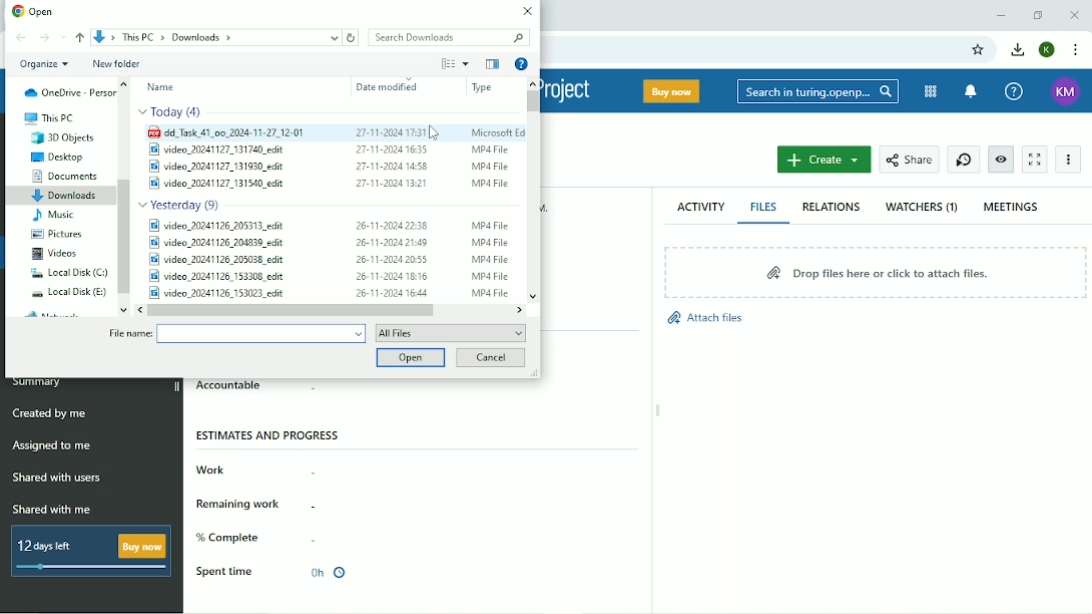 This screenshot has width=1092, height=614. Describe the element at coordinates (700, 208) in the screenshot. I see `Activity` at that location.